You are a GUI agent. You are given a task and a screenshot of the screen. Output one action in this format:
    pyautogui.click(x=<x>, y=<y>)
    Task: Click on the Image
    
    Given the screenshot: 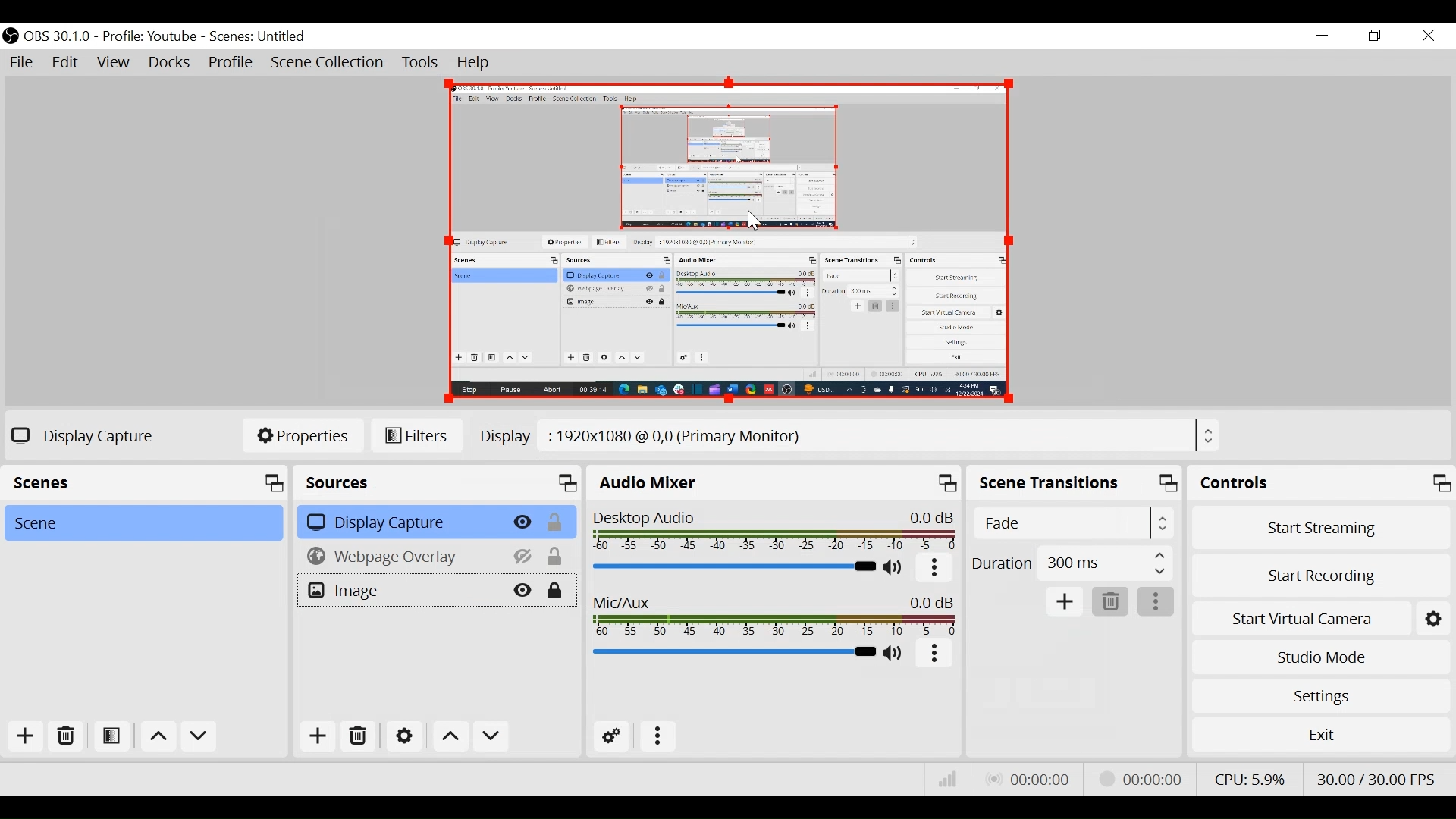 What is the action you would take?
    pyautogui.click(x=398, y=591)
    